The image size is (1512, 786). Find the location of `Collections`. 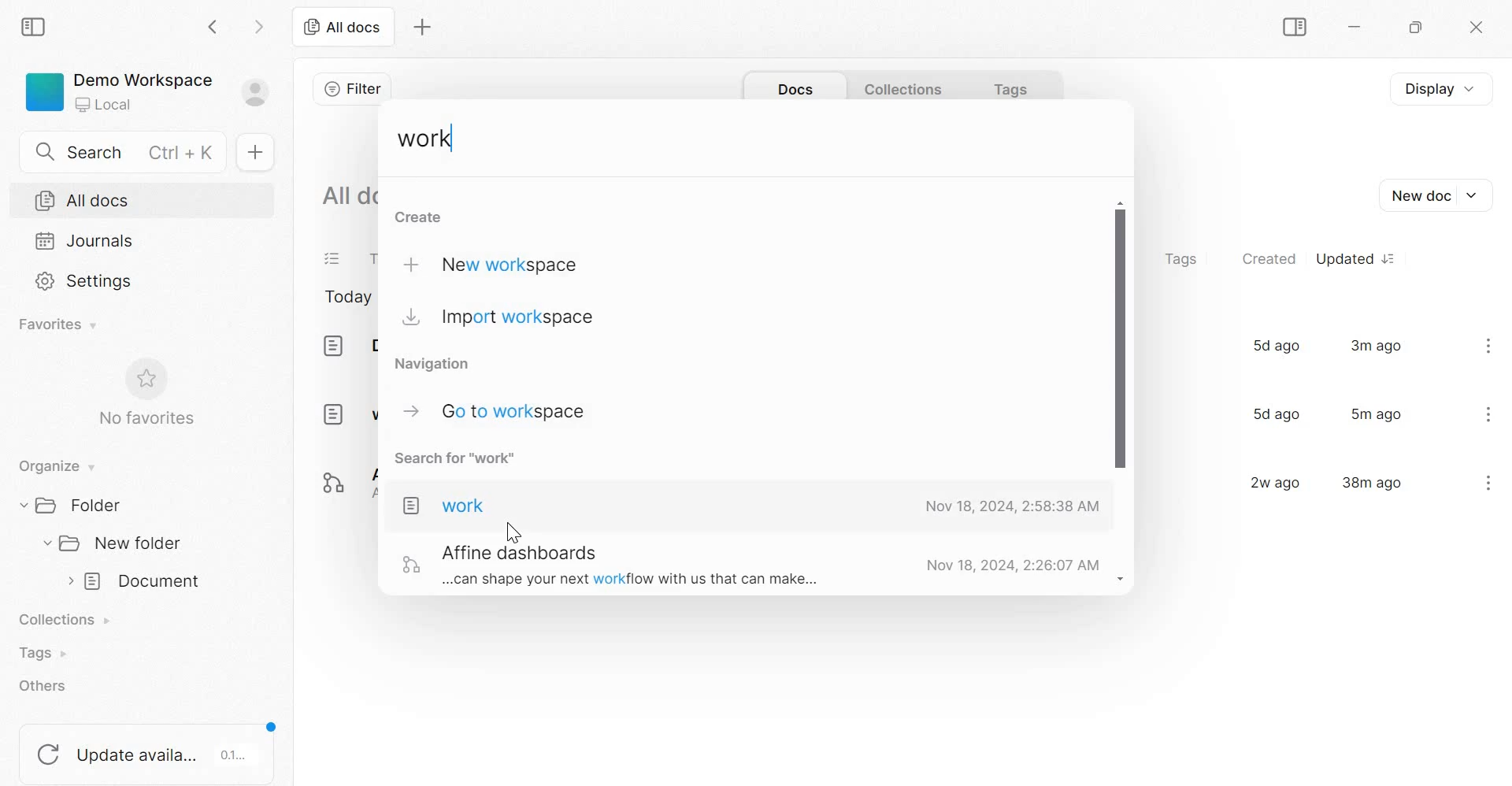

Collections is located at coordinates (69, 621).